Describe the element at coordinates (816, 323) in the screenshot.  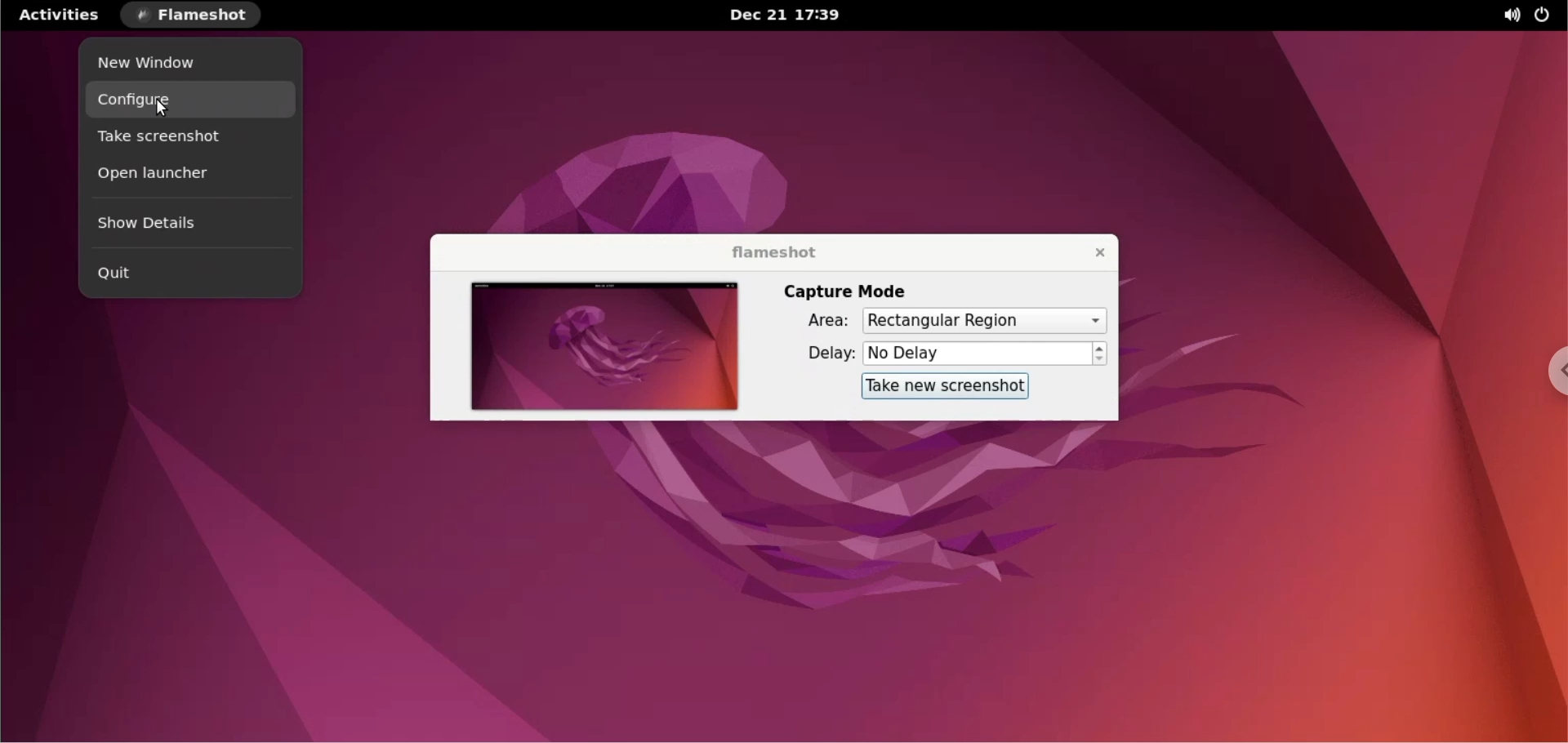
I see `area:` at that location.